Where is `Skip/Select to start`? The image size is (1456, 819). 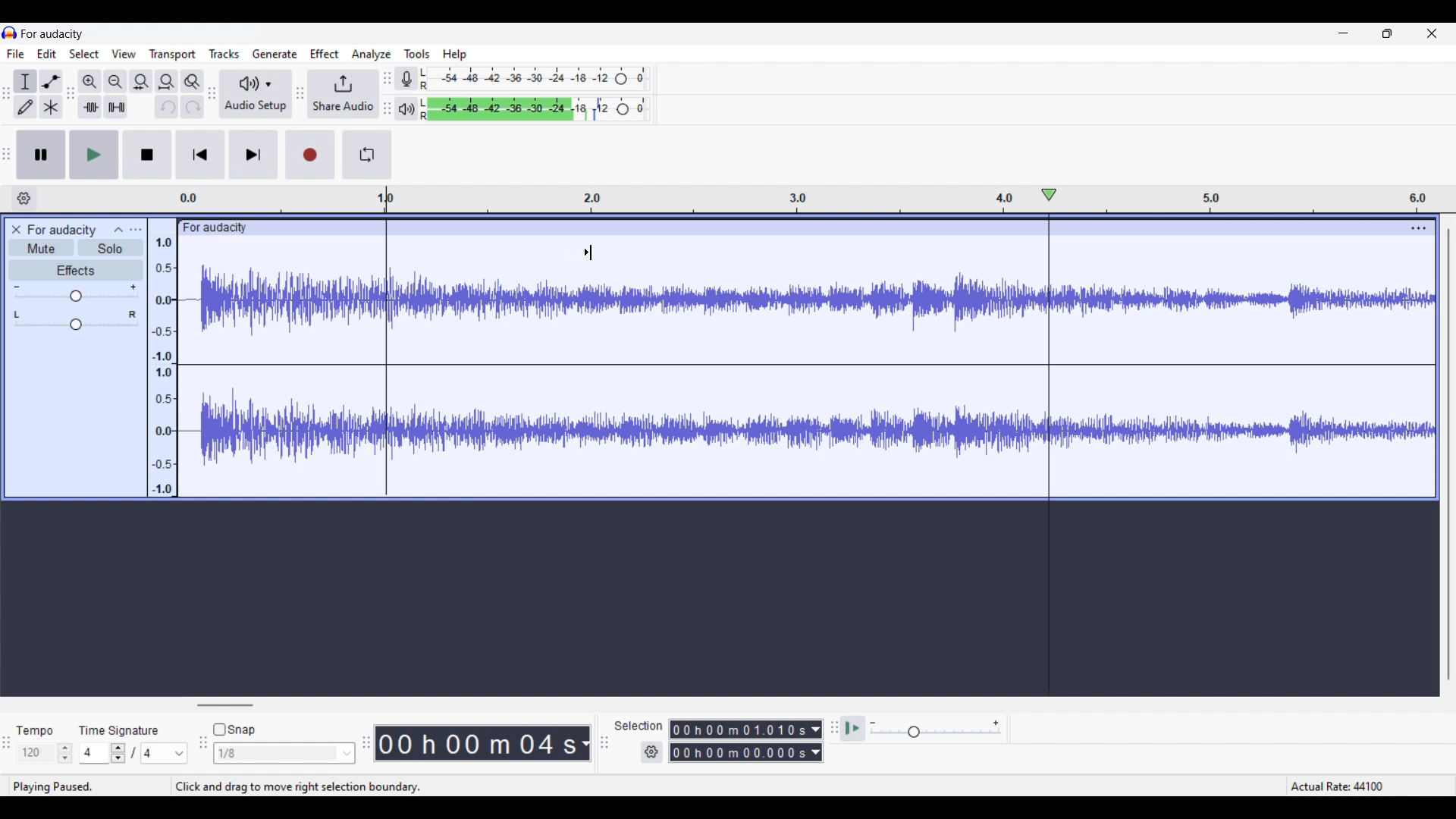 Skip/Select to start is located at coordinates (200, 155).